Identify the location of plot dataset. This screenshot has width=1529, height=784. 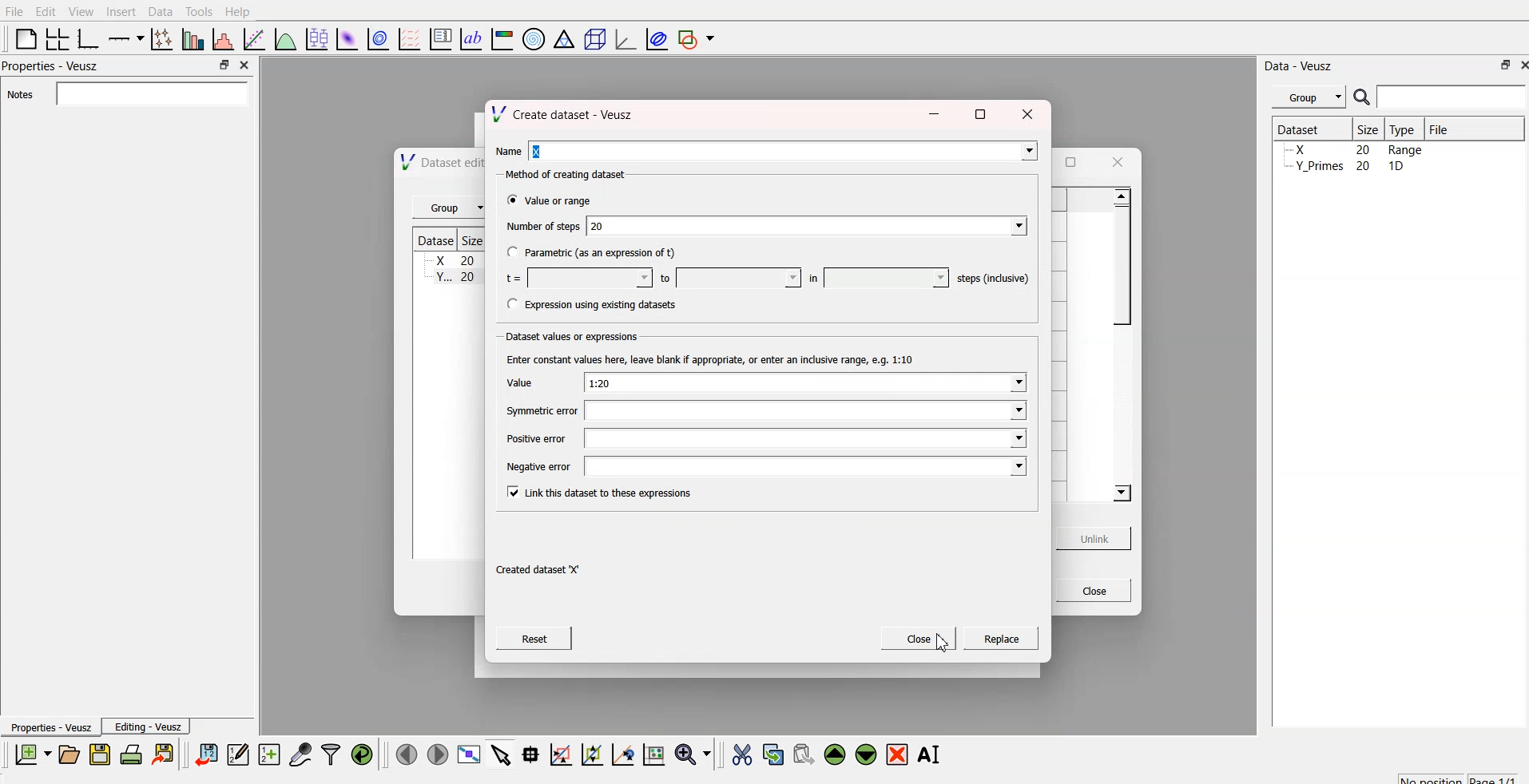
(347, 38).